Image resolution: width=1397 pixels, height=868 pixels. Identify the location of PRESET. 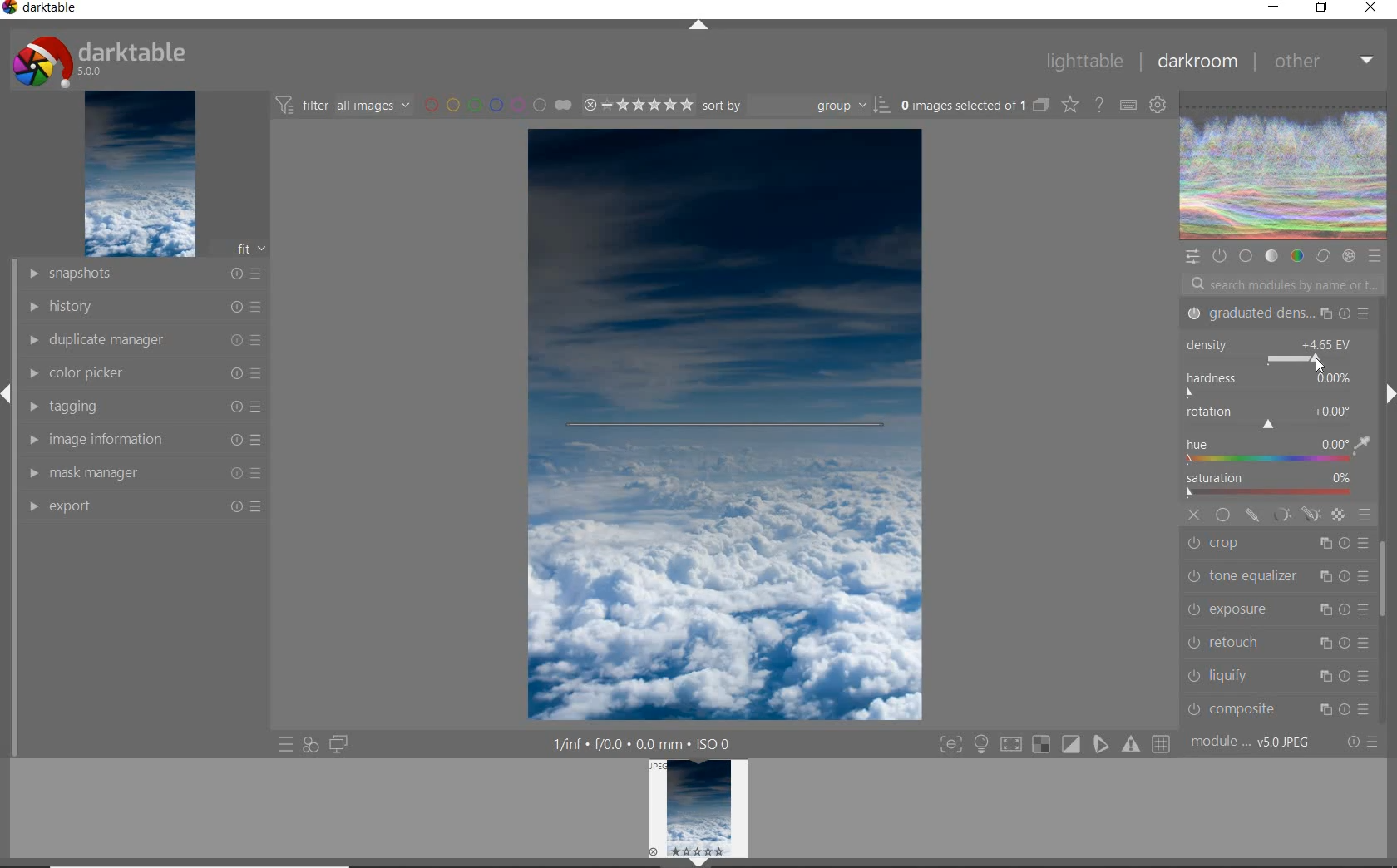
(1375, 256).